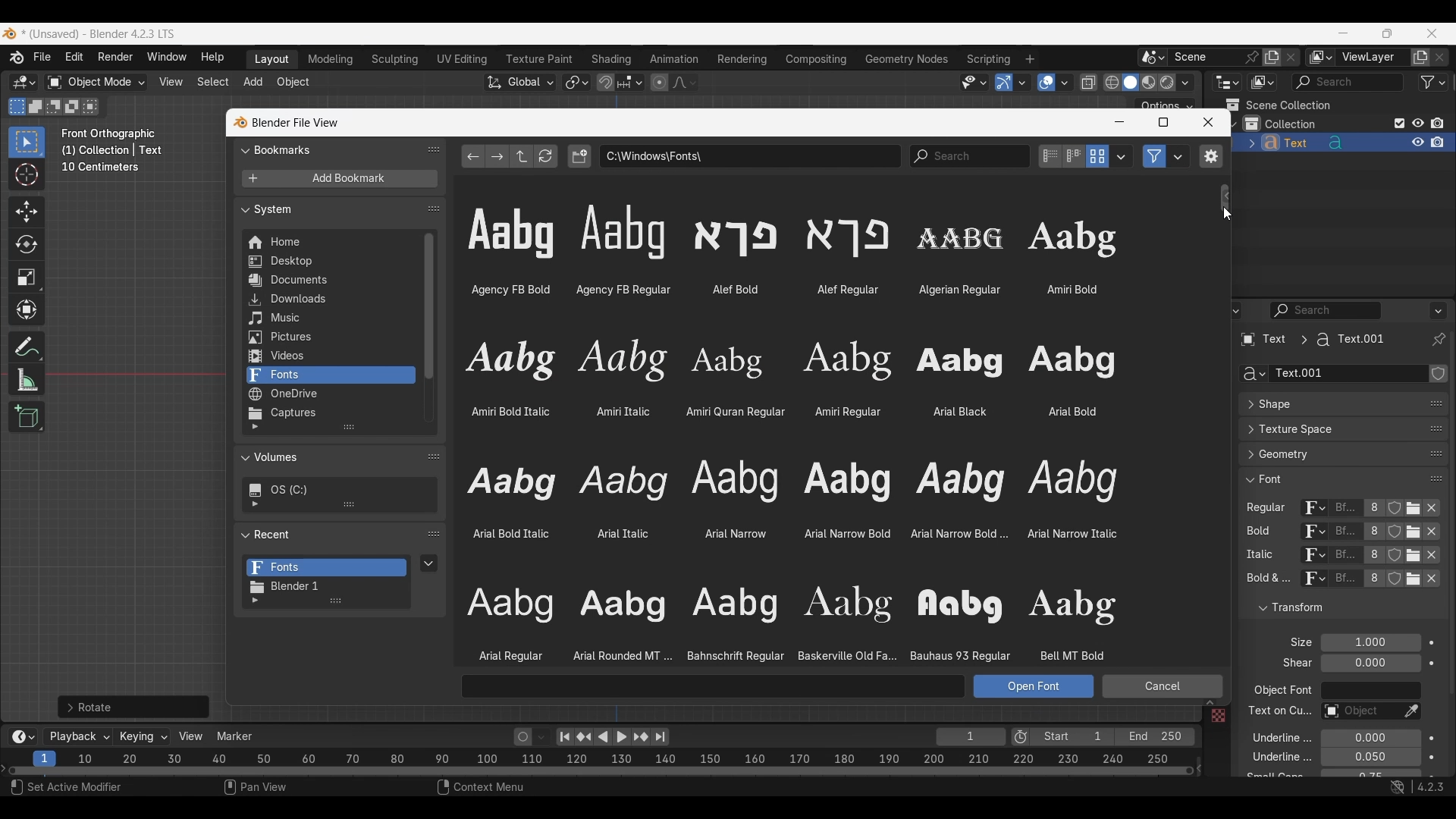  Describe the element at coordinates (1424, 582) in the screenshot. I see `unlink respective attribute` at that location.